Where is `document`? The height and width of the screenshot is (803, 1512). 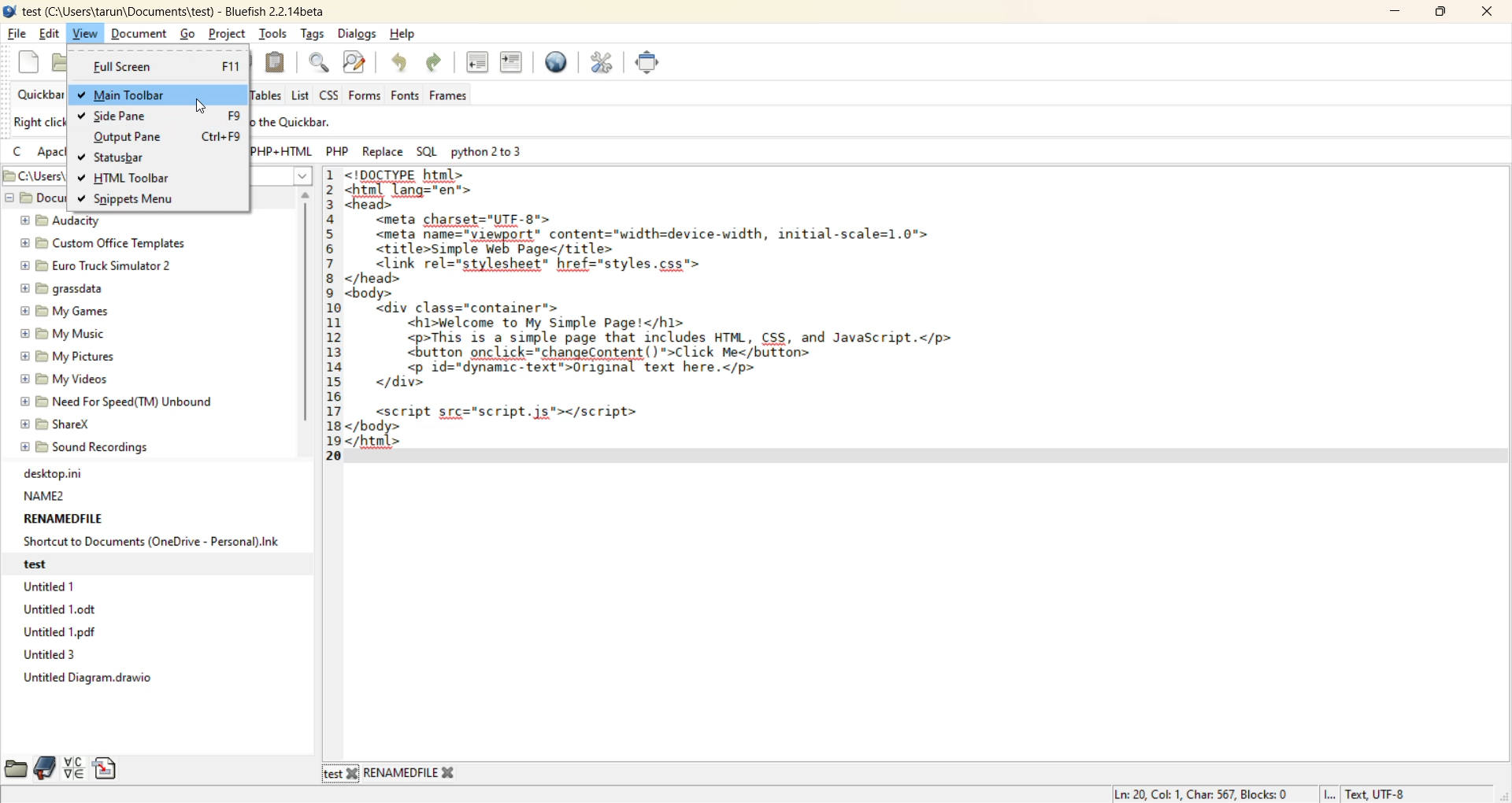 document is located at coordinates (138, 33).